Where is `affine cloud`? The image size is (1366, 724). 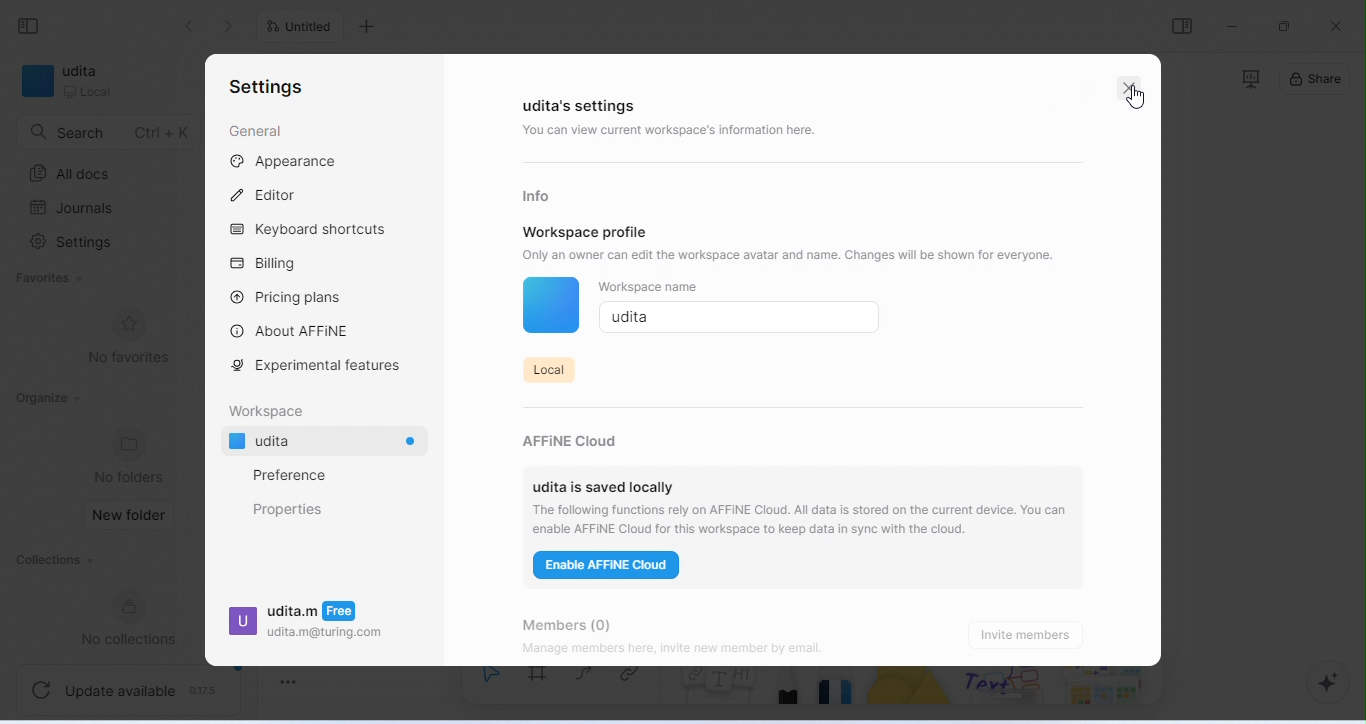 affine cloud is located at coordinates (576, 436).